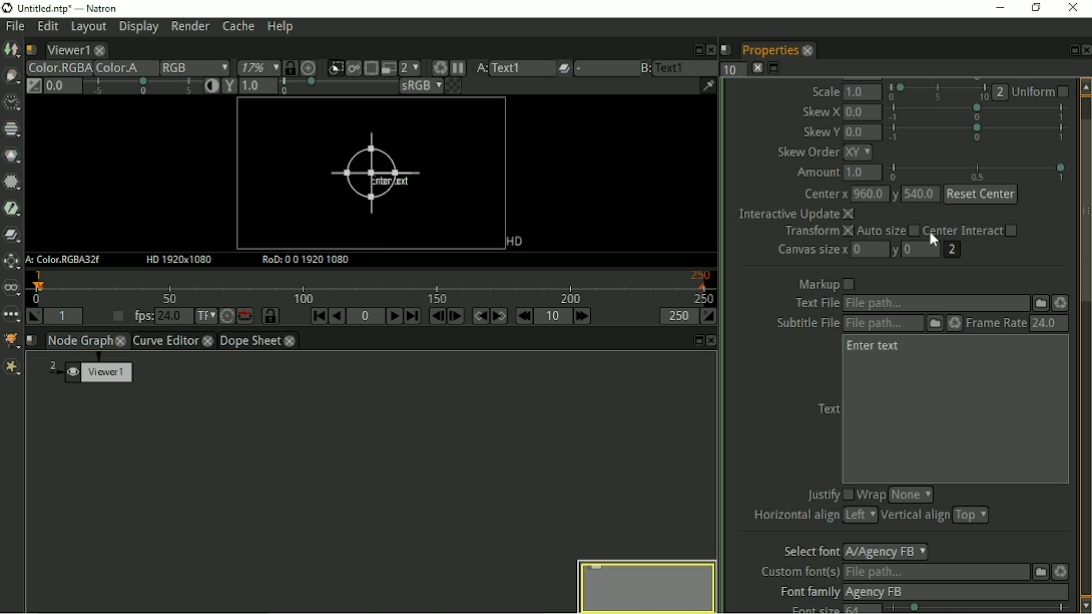  Describe the element at coordinates (863, 609) in the screenshot. I see `64` at that location.